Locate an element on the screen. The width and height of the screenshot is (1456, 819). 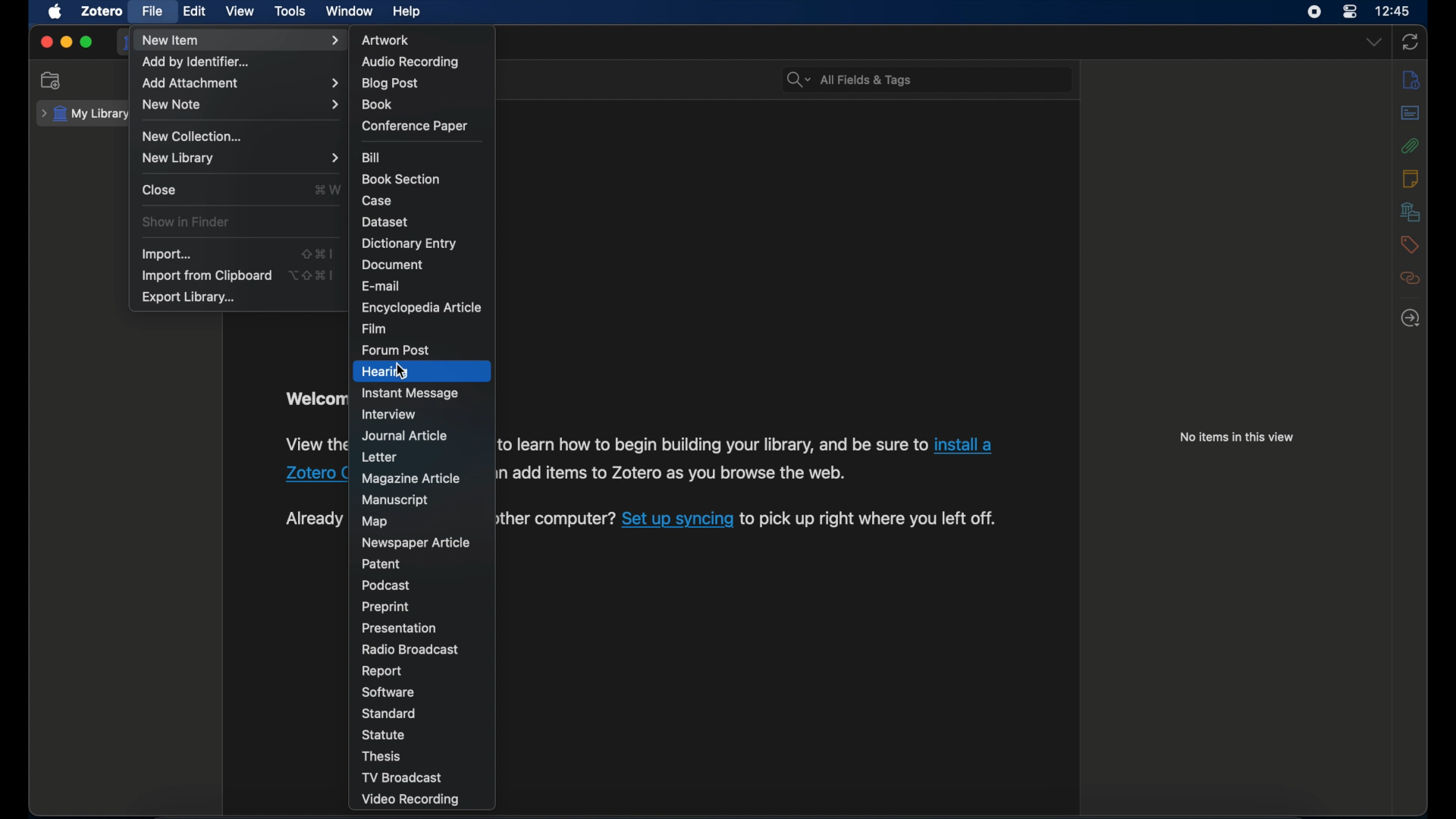
manuscript is located at coordinates (394, 500).